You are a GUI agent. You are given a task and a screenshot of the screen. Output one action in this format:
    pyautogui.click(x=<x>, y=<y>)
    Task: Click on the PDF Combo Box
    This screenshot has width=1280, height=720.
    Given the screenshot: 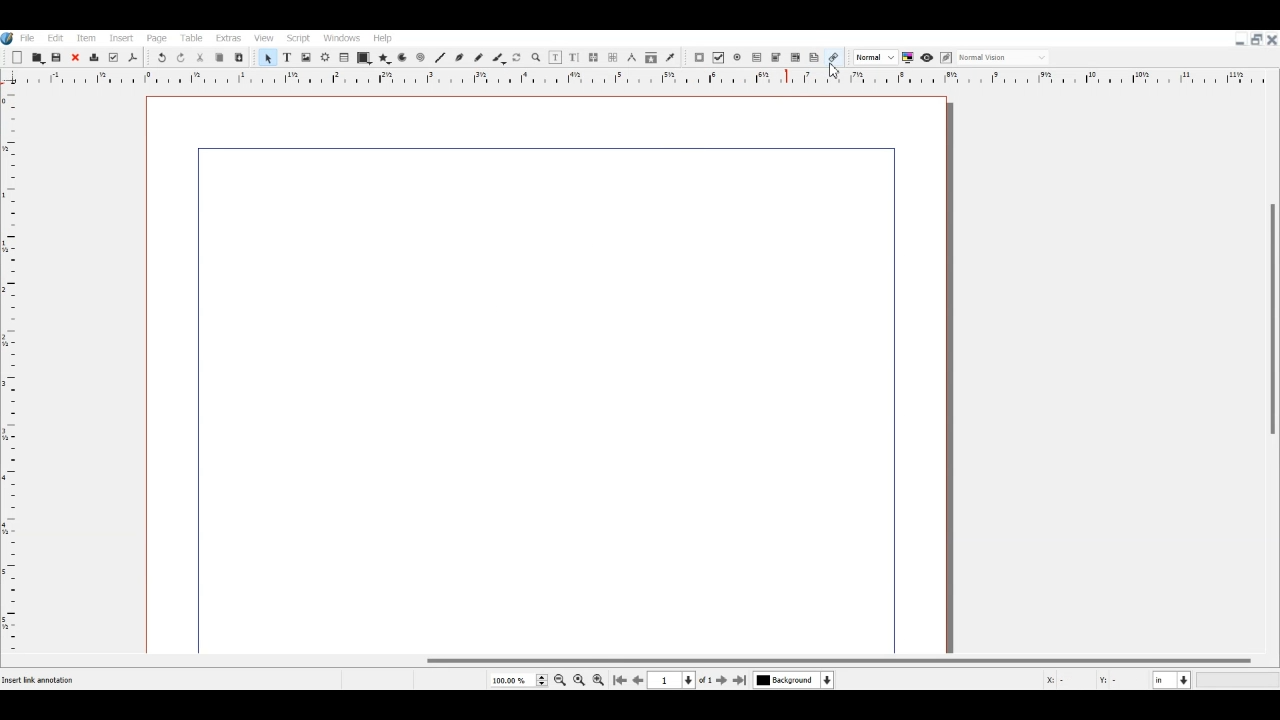 What is the action you would take?
    pyautogui.click(x=776, y=58)
    